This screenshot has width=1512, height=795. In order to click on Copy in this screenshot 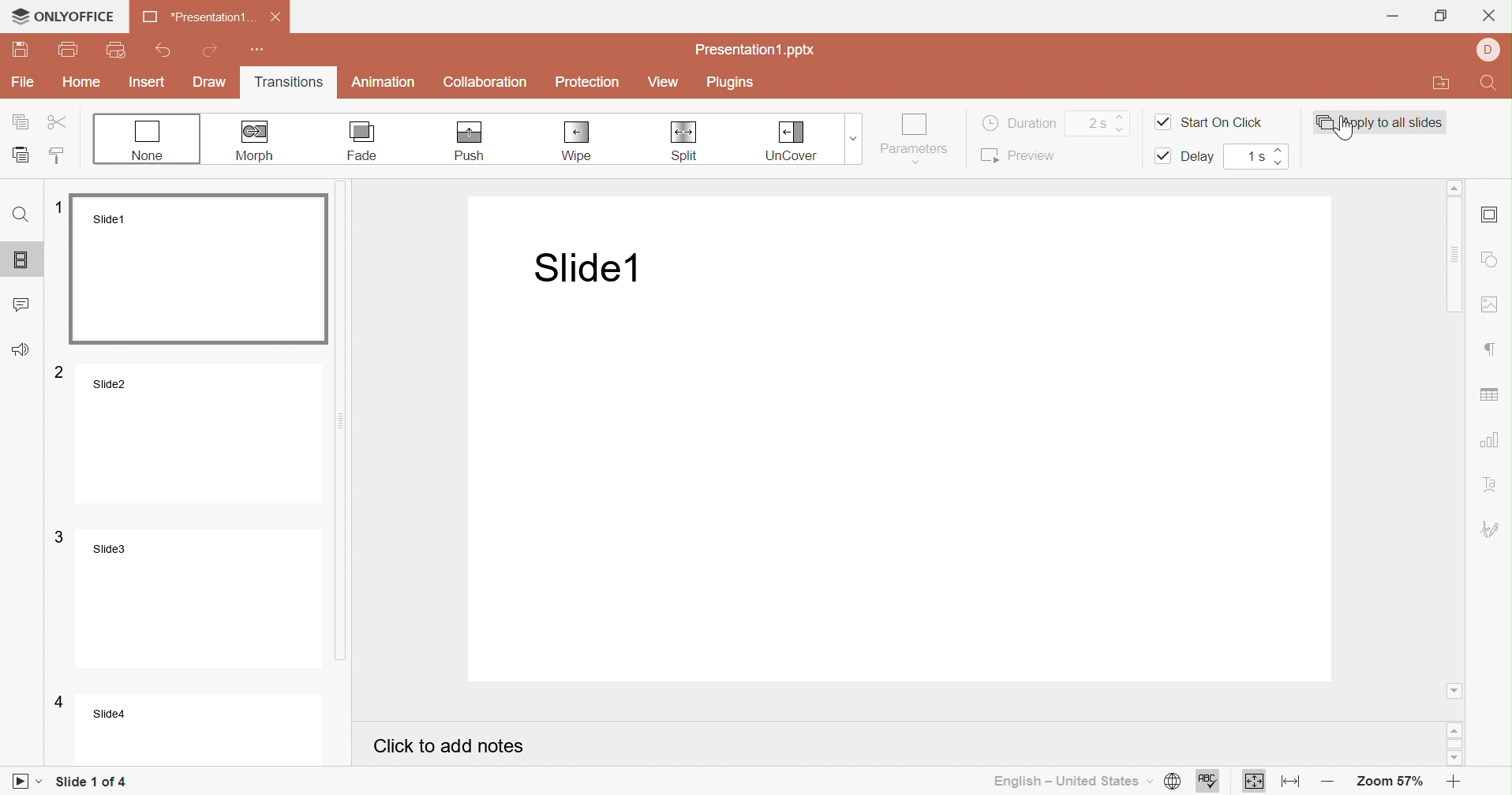, I will do `click(22, 123)`.